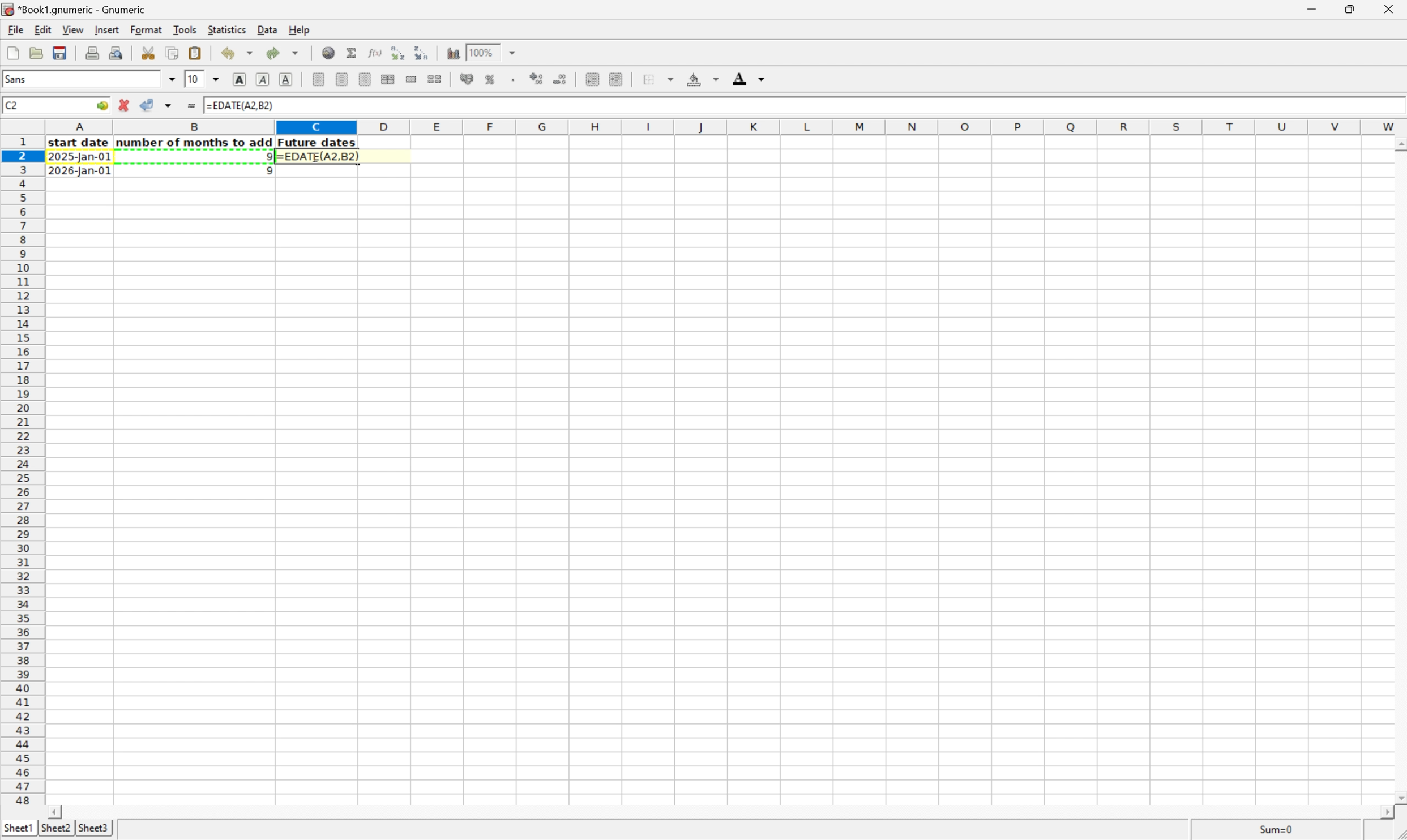 Image resolution: width=1407 pixels, height=840 pixels. I want to click on Bold, so click(240, 80).